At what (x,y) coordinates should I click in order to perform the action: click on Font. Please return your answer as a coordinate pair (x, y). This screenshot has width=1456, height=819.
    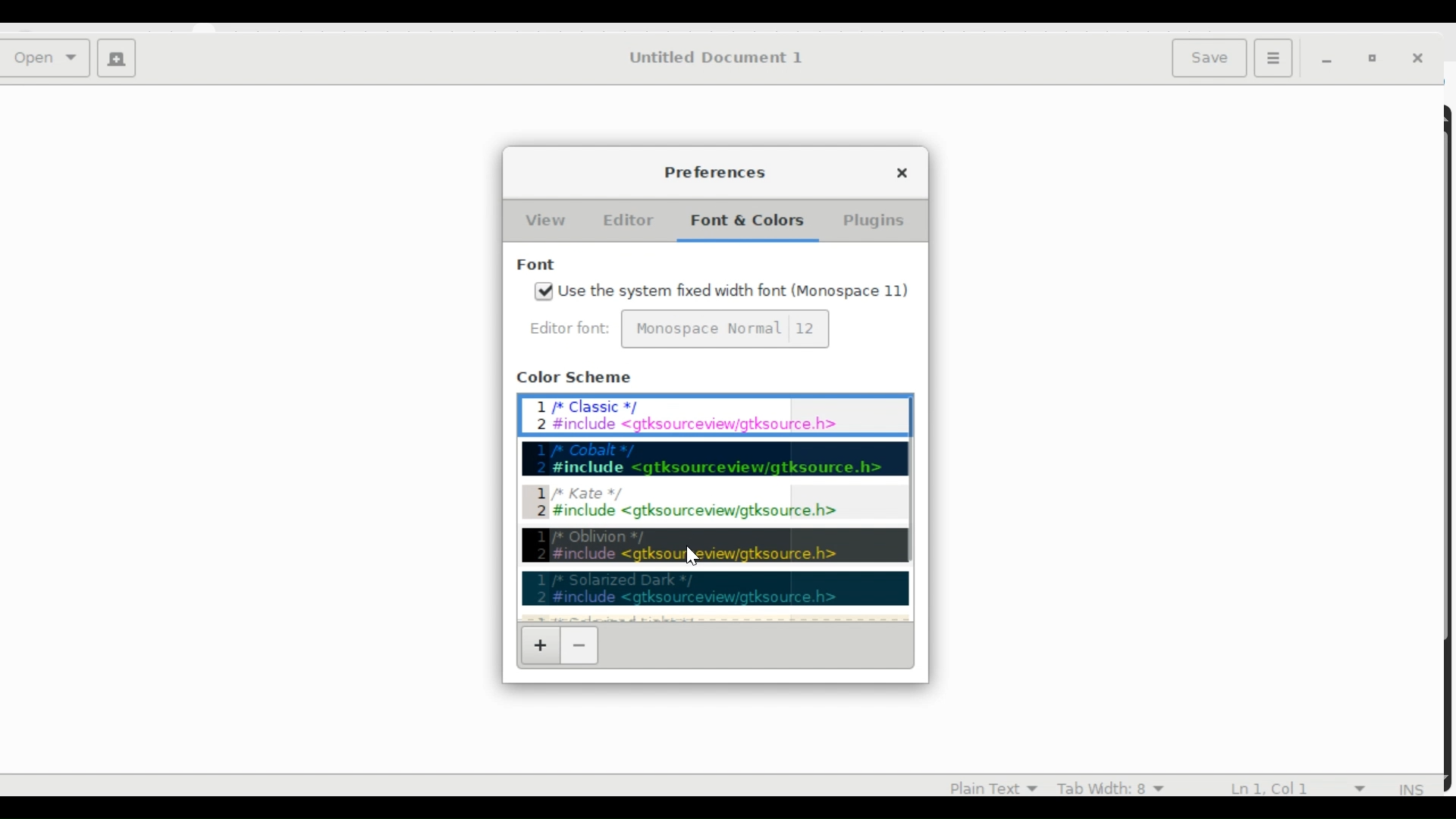
    Looking at the image, I should click on (538, 262).